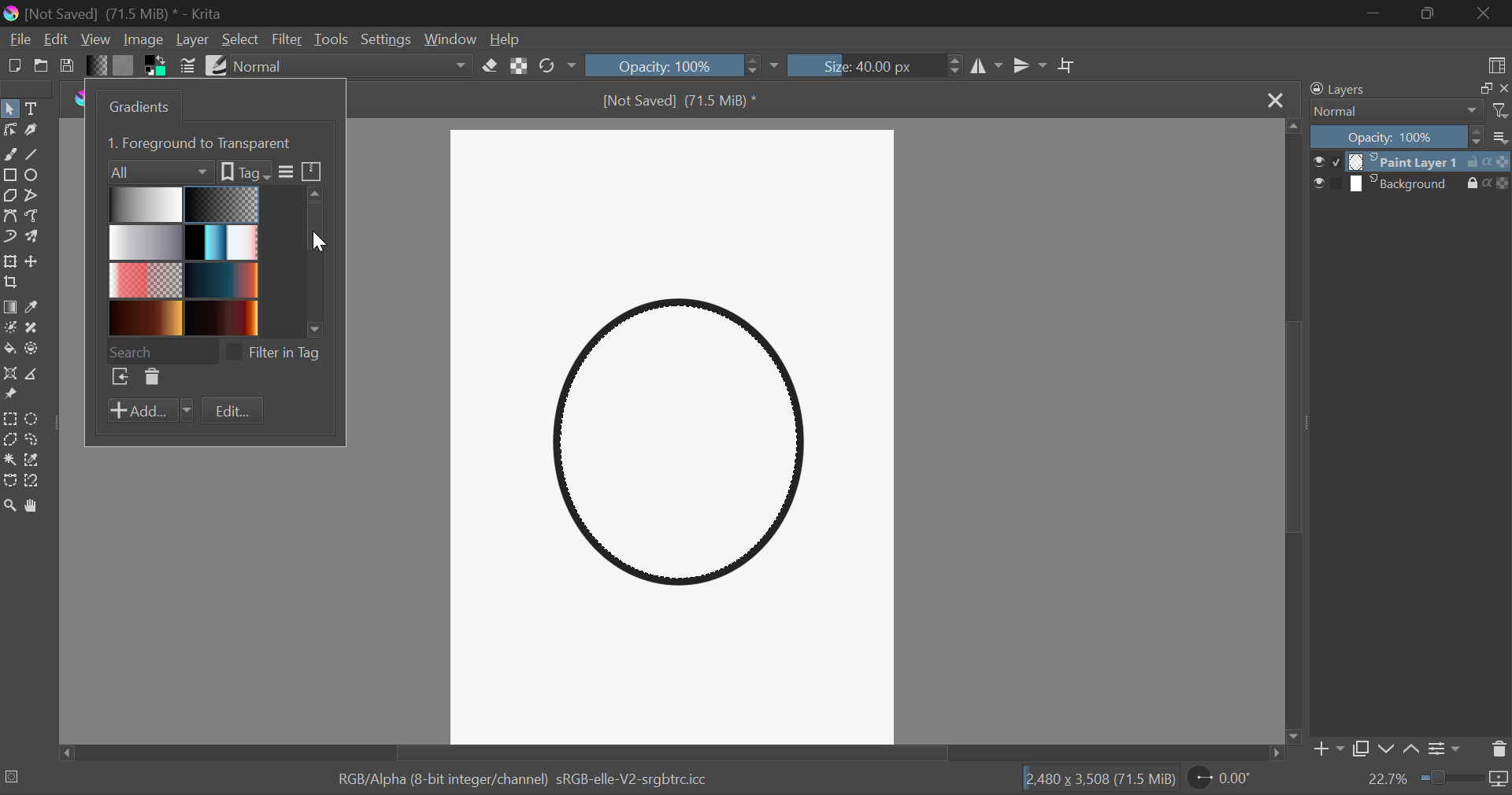 The image size is (1512, 795). I want to click on Close, so click(1276, 102).